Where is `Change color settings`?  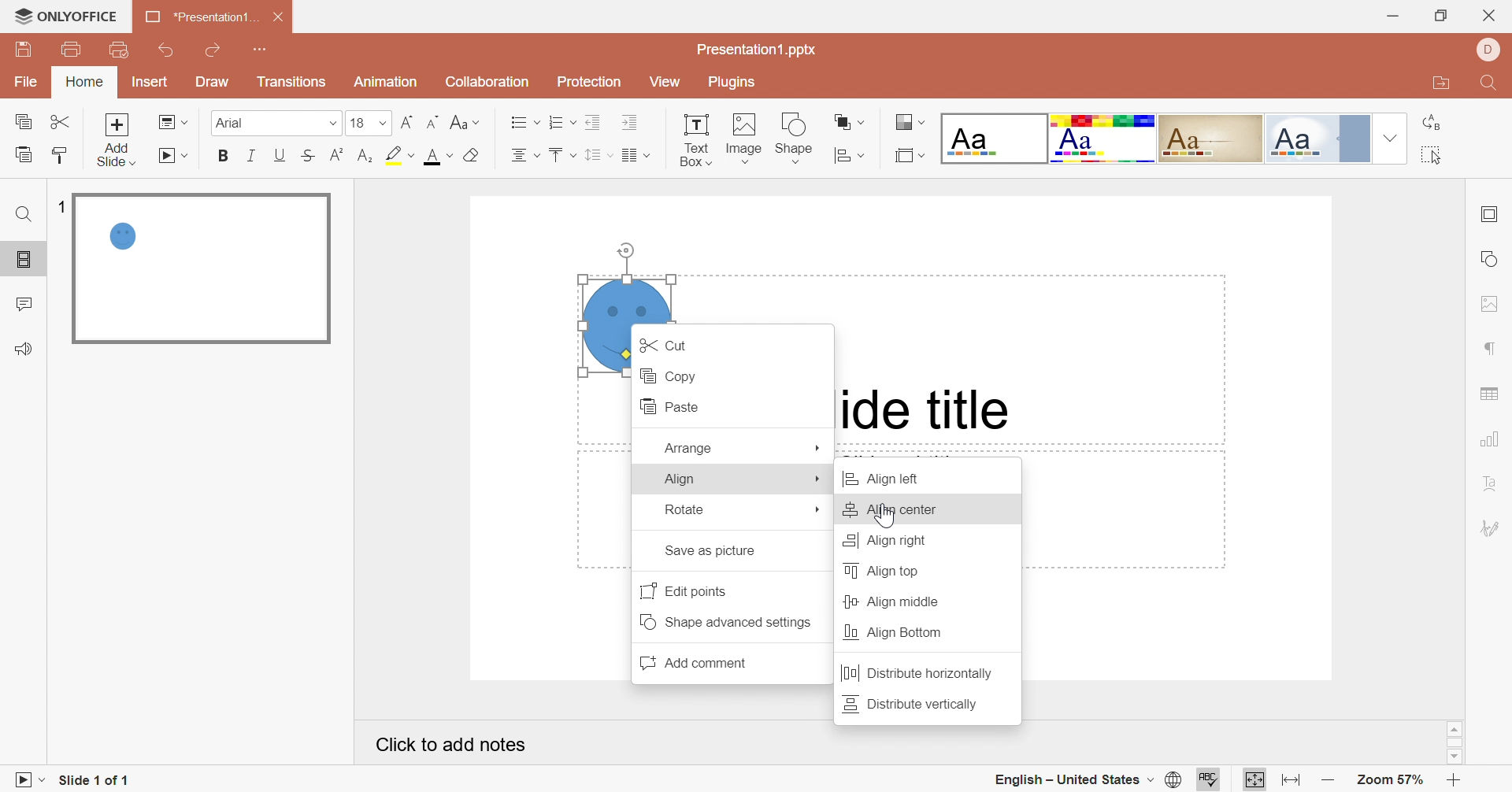 Change color settings is located at coordinates (911, 124).